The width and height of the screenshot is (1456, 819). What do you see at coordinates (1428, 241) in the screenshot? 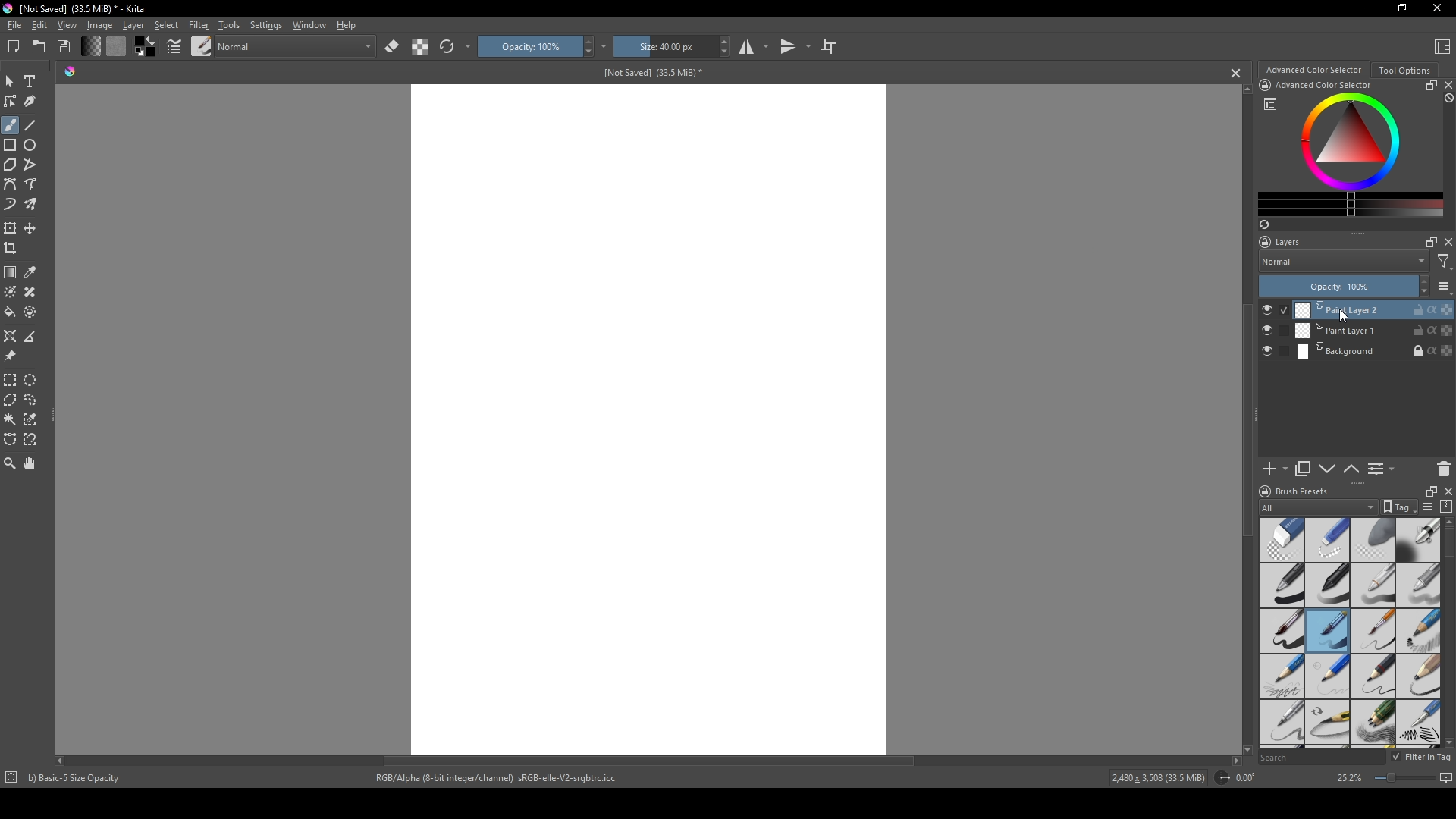
I see `maximize` at bounding box center [1428, 241].